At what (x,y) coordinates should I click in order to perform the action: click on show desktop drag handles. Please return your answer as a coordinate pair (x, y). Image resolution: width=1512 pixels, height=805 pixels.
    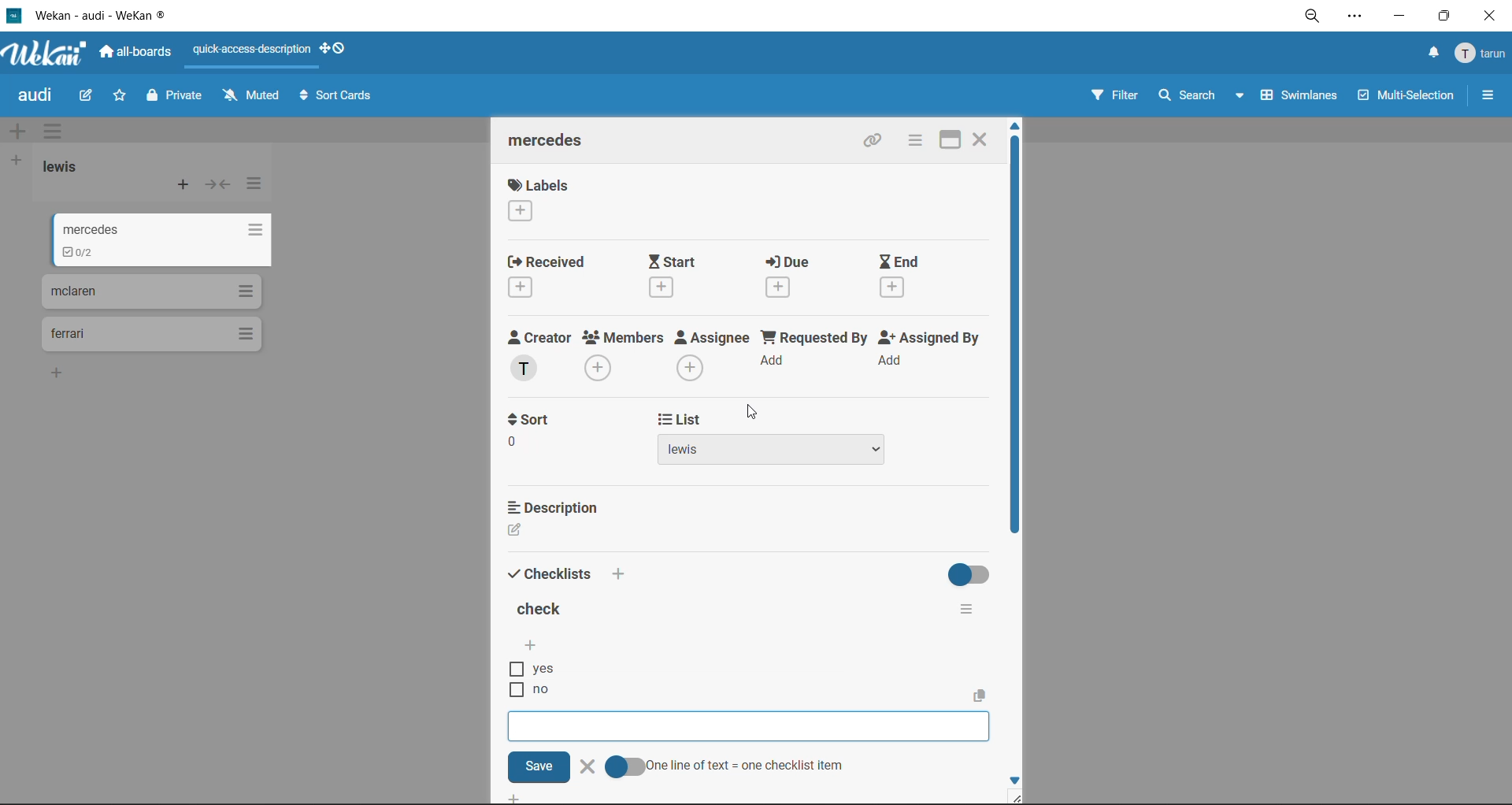
    Looking at the image, I should click on (339, 48).